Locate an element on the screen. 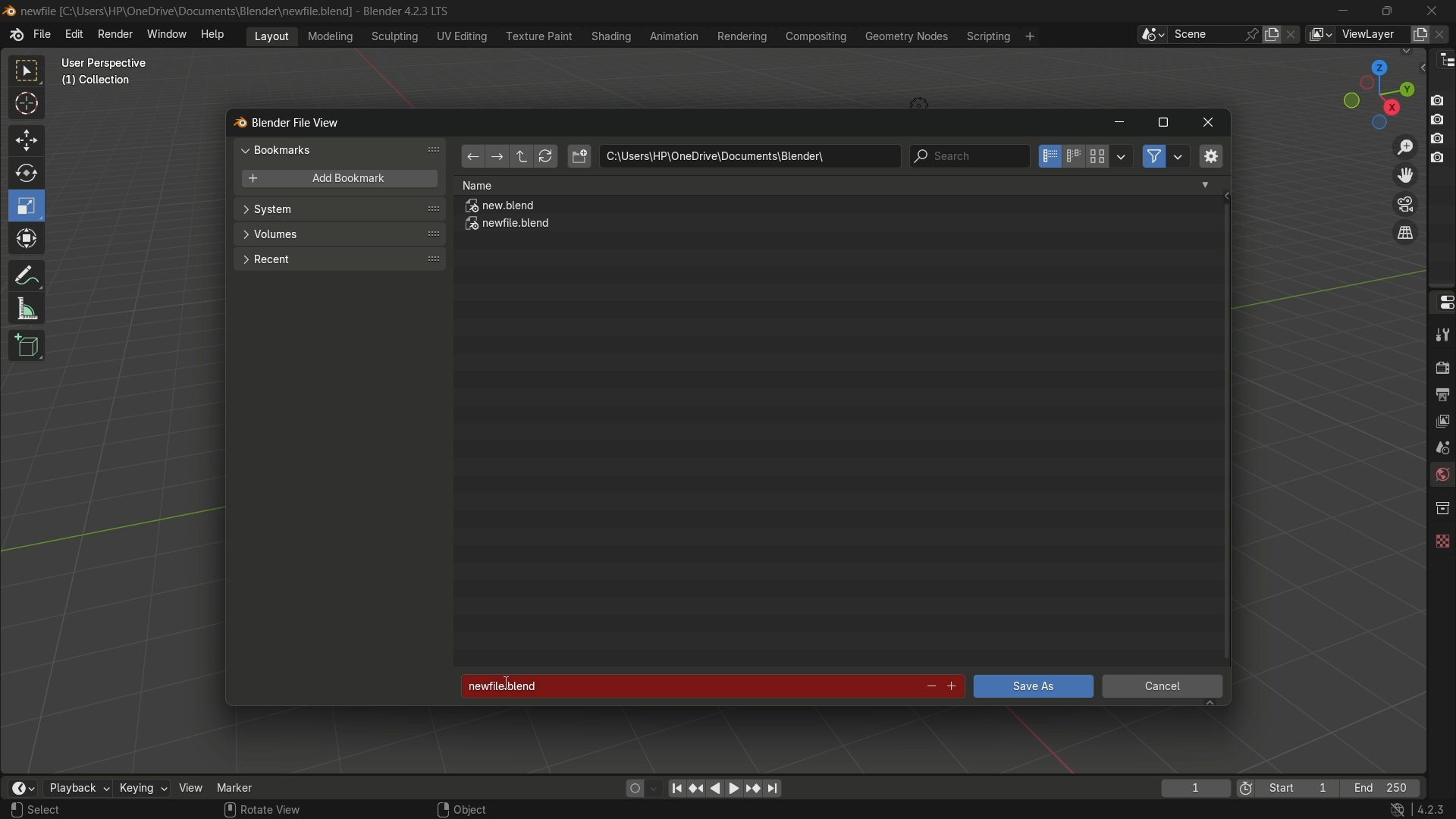 The height and width of the screenshot is (819, 1456). edit menu is located at coordinates (74, 34).